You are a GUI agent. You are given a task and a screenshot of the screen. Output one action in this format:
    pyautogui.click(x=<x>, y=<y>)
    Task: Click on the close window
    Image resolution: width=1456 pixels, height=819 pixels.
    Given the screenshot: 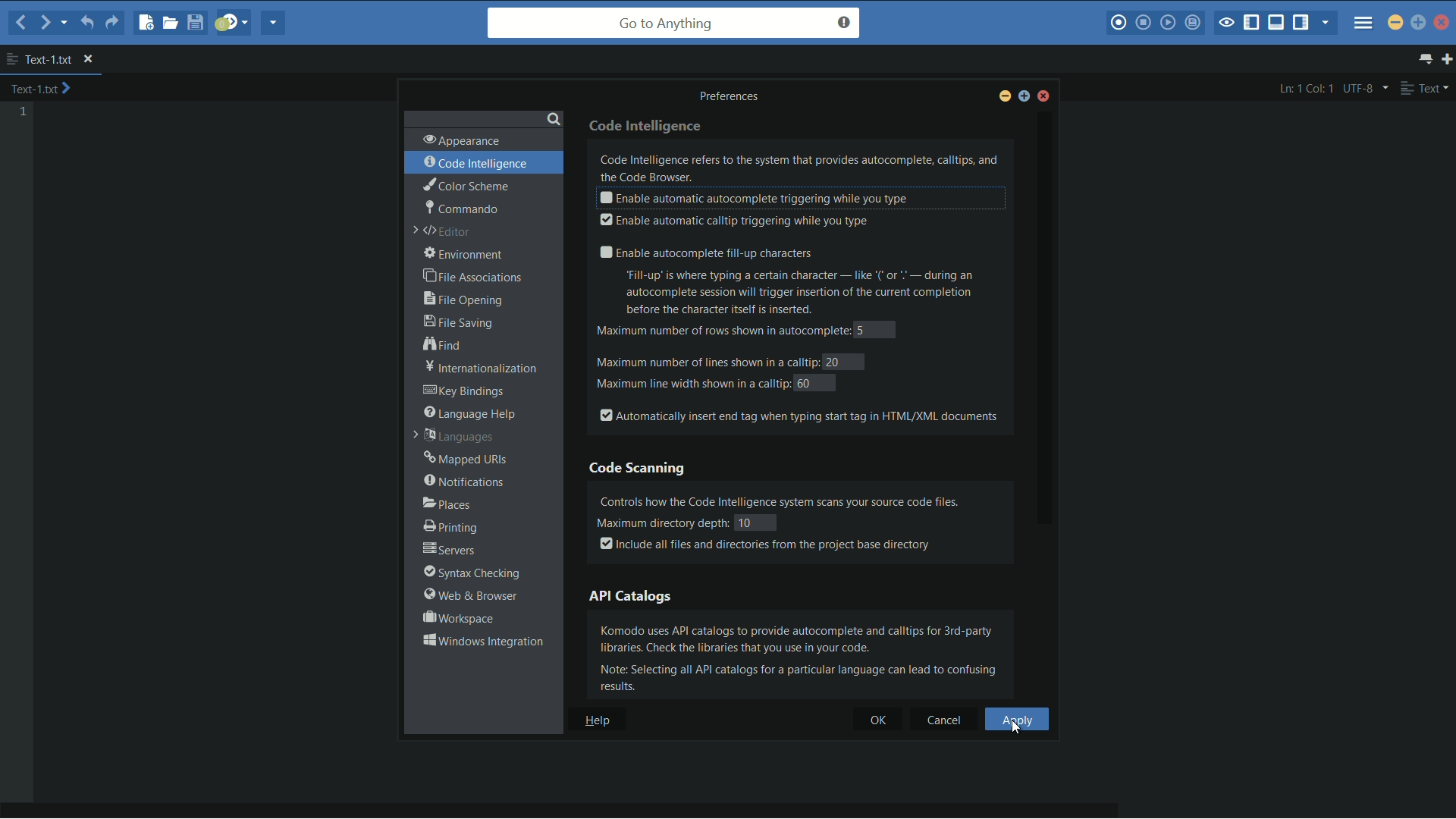 What is the action you would take?
    pyautogui.click(x=1045, y=98)
    